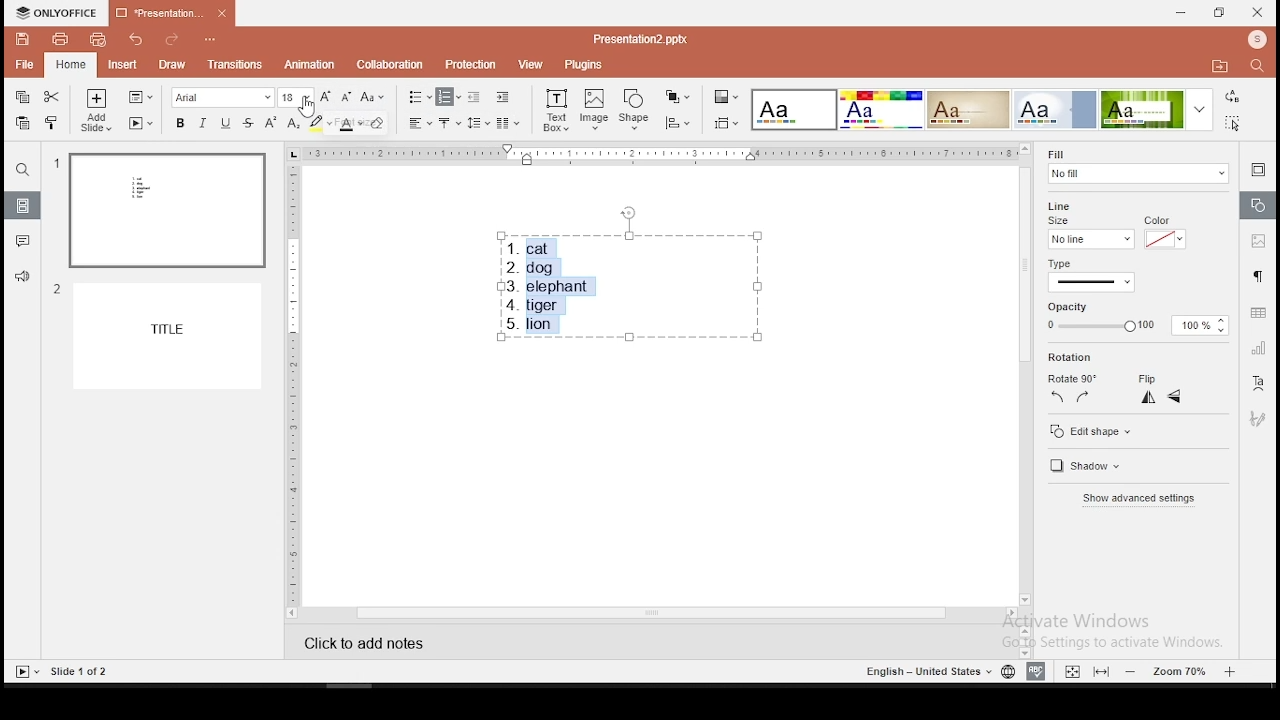 The height and width of the screenshot is (720, 1280). I want to click on scroll bar, so click(1024, 374).